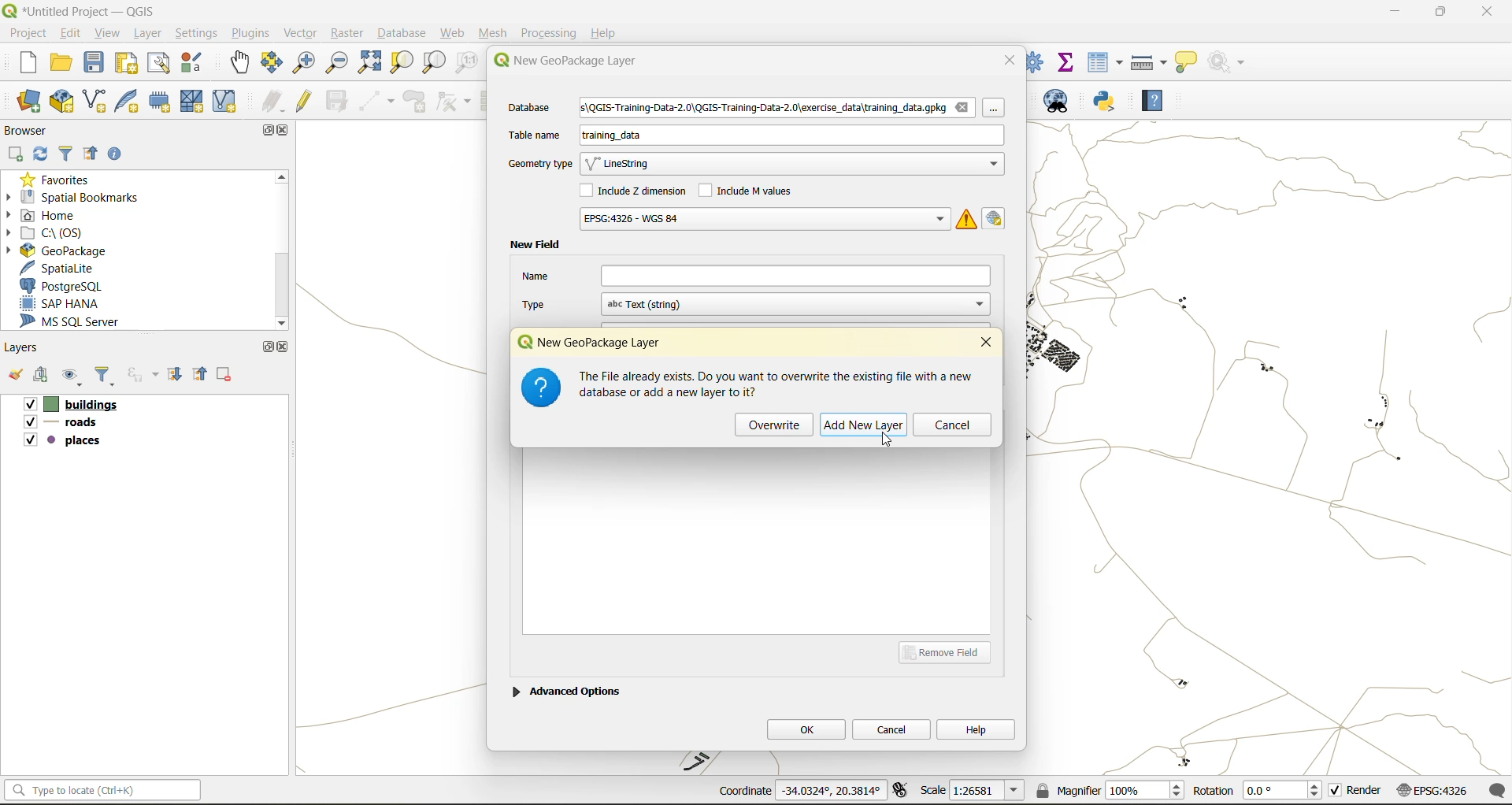 The height and width of the screenshot is (805, 1512). I want to click on table name, so click(535, 135).